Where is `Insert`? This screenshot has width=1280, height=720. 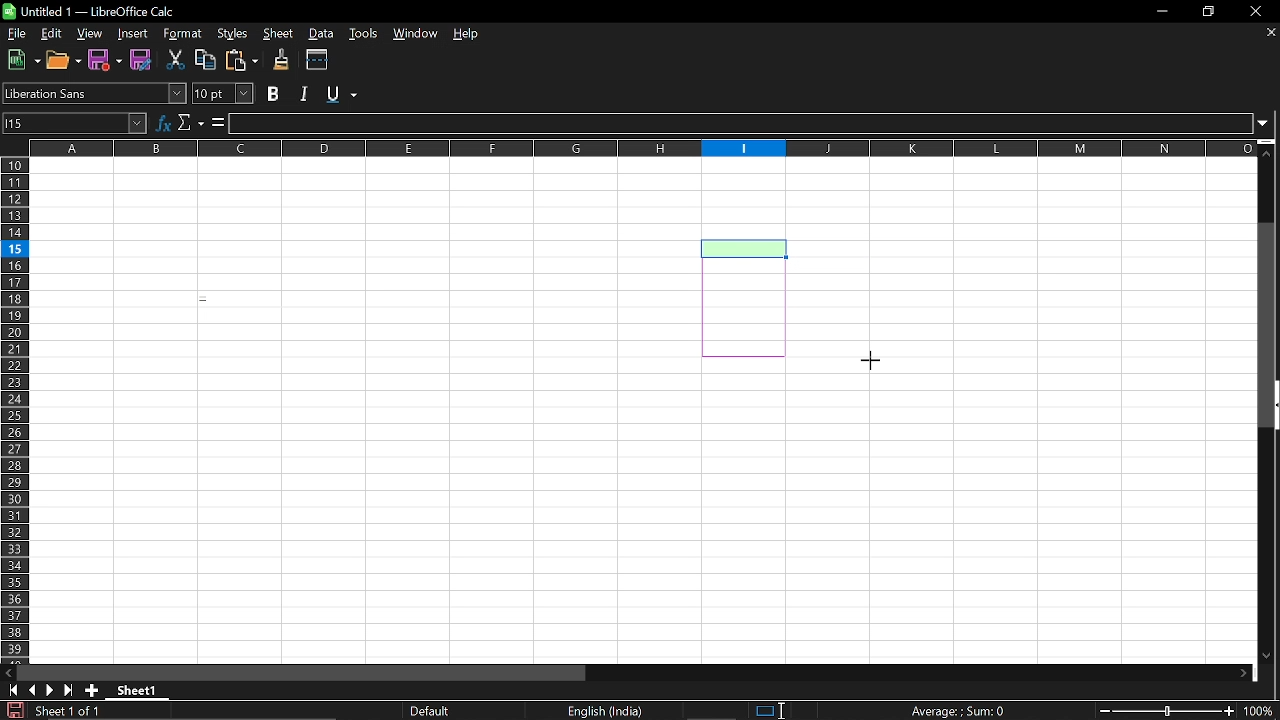 Insert is located at coordinates (134, 33).